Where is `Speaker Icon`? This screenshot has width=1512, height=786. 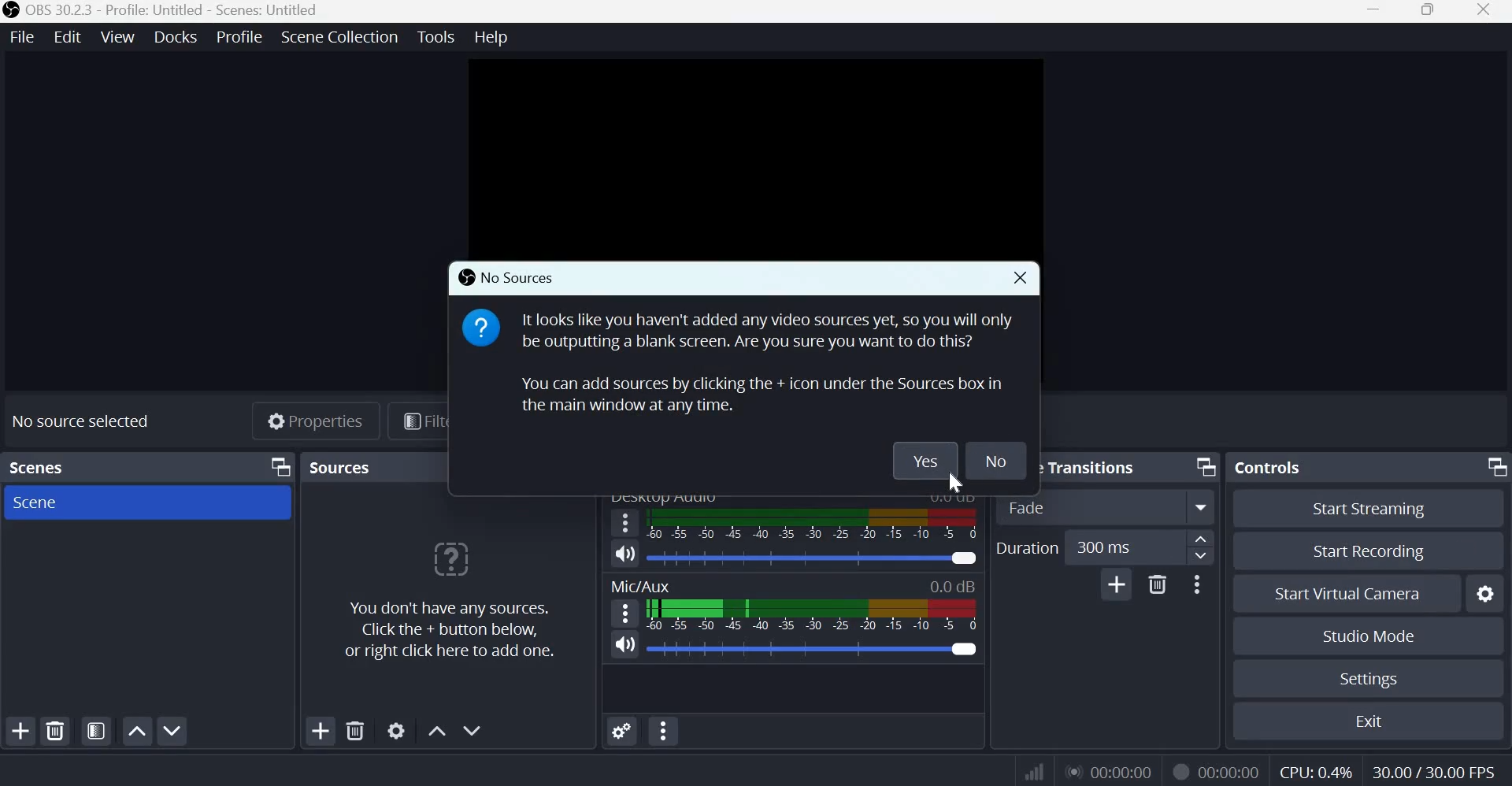 Speaker Icon is located at coordinates (625, 553).